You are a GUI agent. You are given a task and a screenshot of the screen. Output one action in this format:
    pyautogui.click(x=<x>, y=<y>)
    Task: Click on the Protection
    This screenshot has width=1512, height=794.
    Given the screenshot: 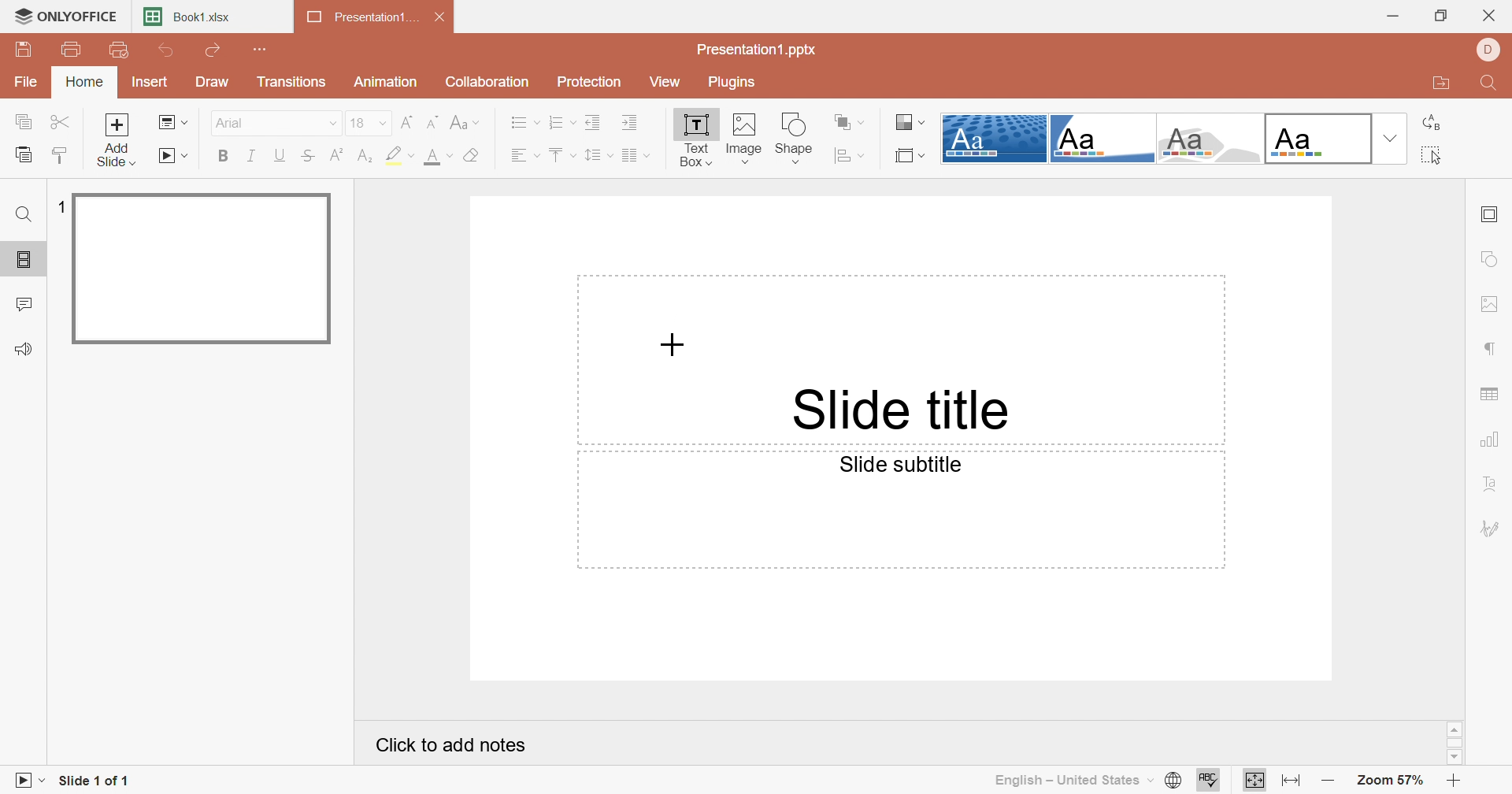 What is the action you would take?
    pyautogui.click(x=591, y=81)
    